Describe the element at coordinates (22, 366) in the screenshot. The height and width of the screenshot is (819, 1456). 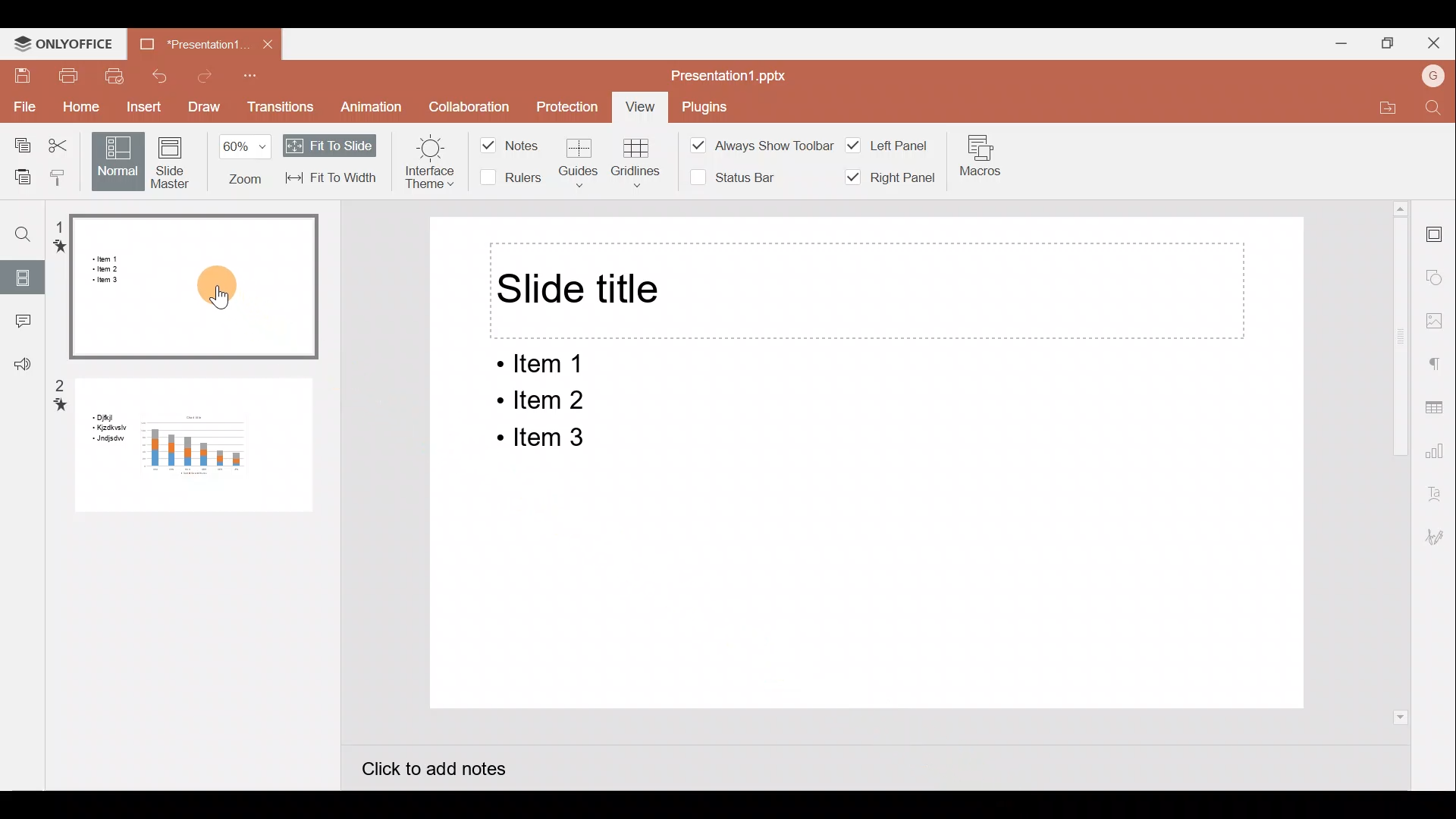
I see `Feedback & support` at that location.